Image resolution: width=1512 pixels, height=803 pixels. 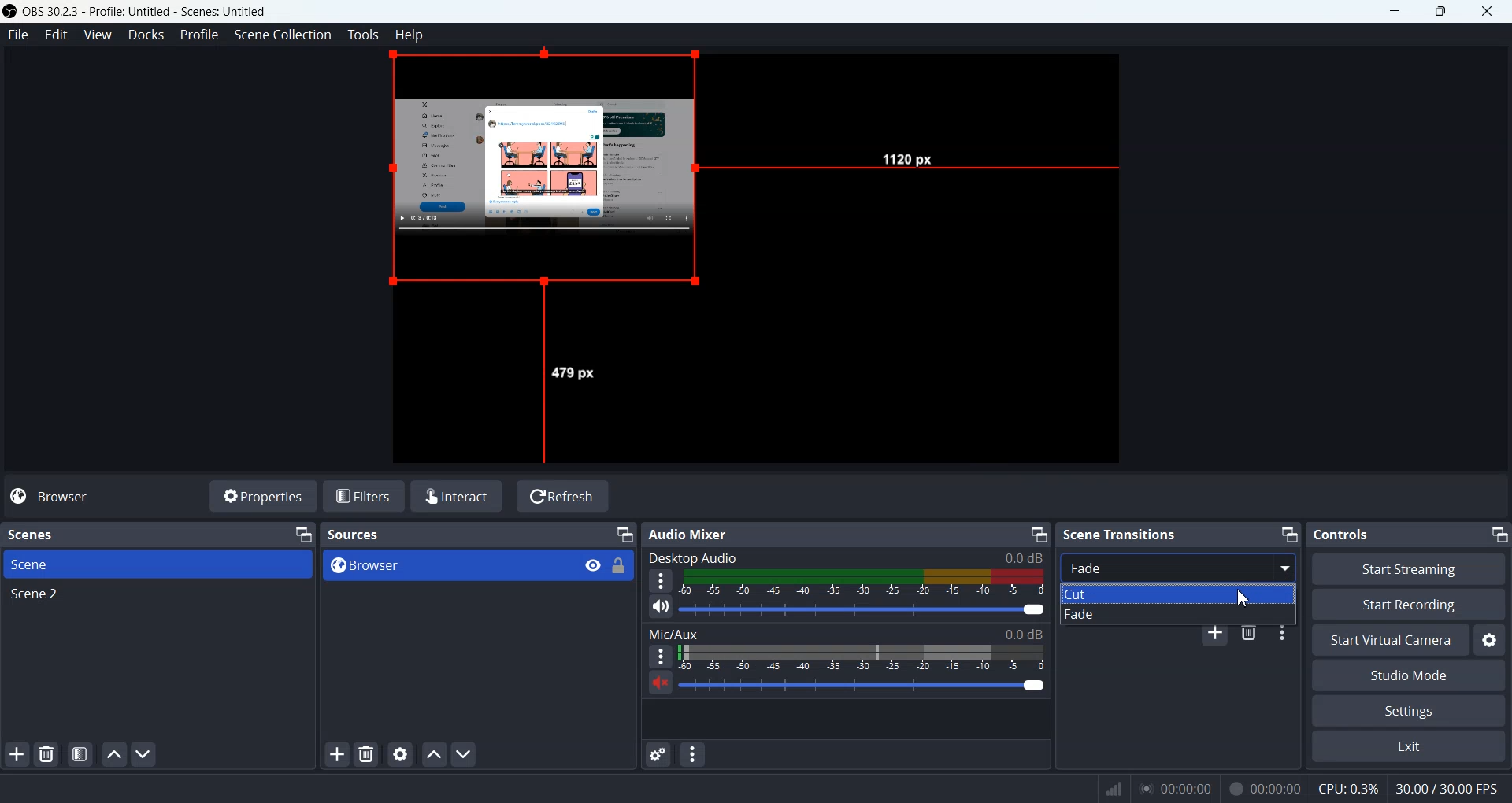 I want to click on Volume Indicator, so click(x=861, y=658).